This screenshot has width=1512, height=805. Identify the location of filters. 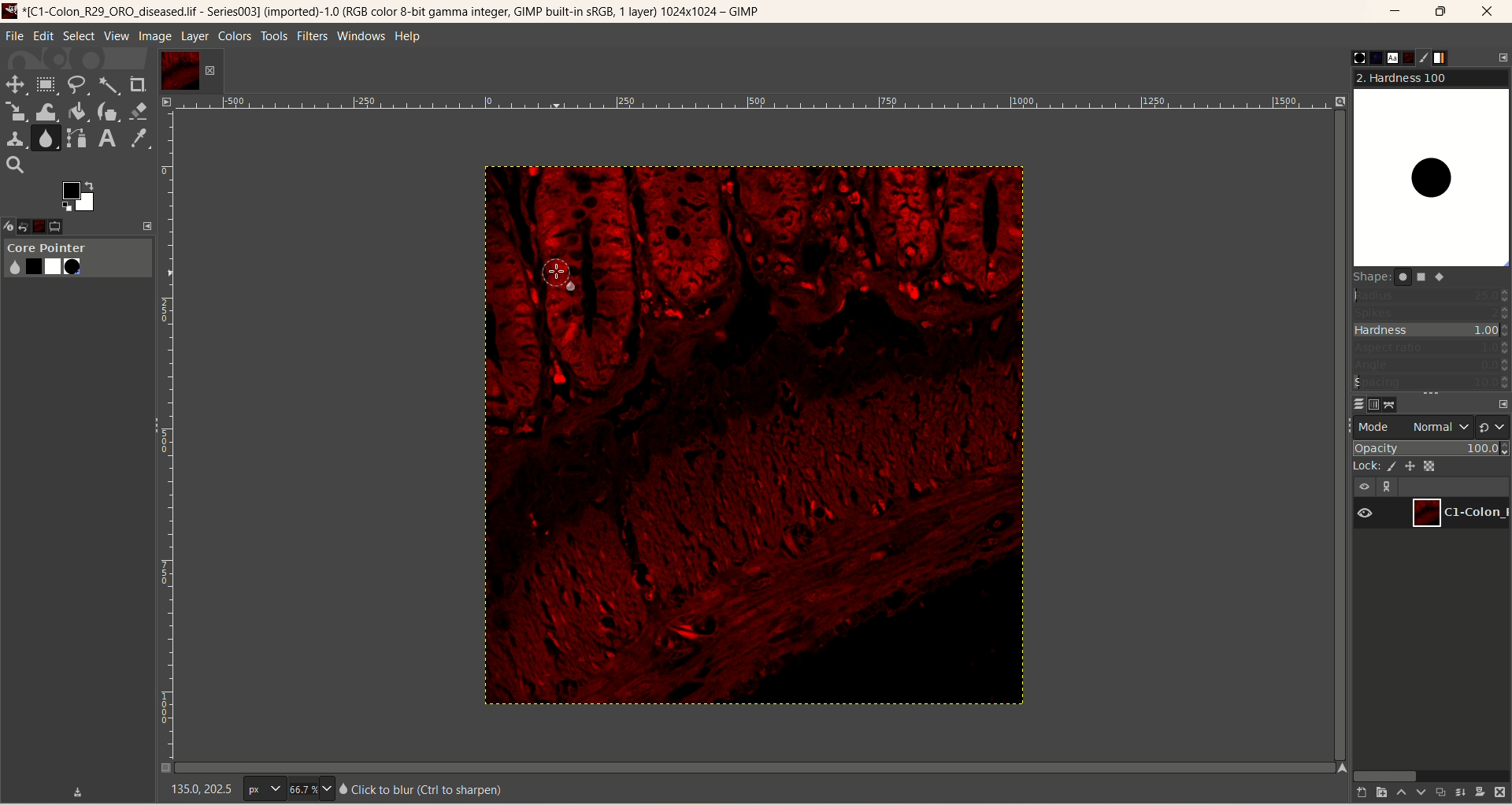
(310, 35).